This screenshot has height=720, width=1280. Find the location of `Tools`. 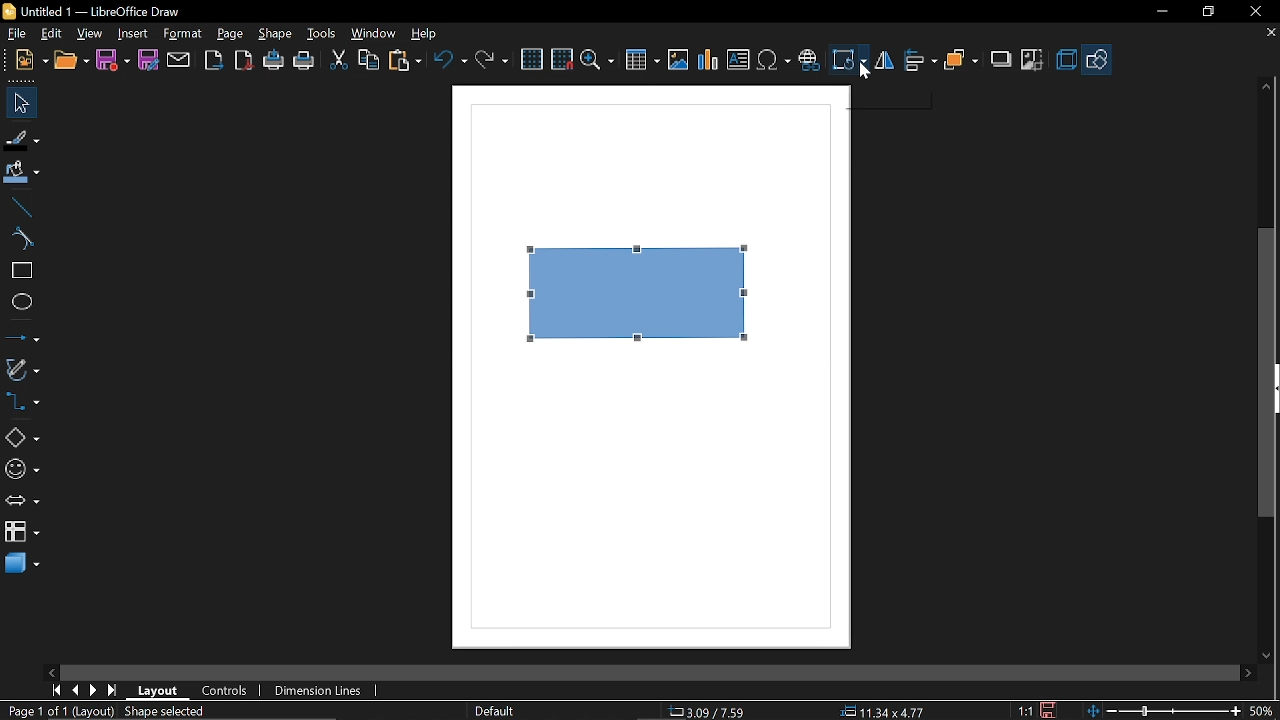

Tools is located at coordinates (320, 35).